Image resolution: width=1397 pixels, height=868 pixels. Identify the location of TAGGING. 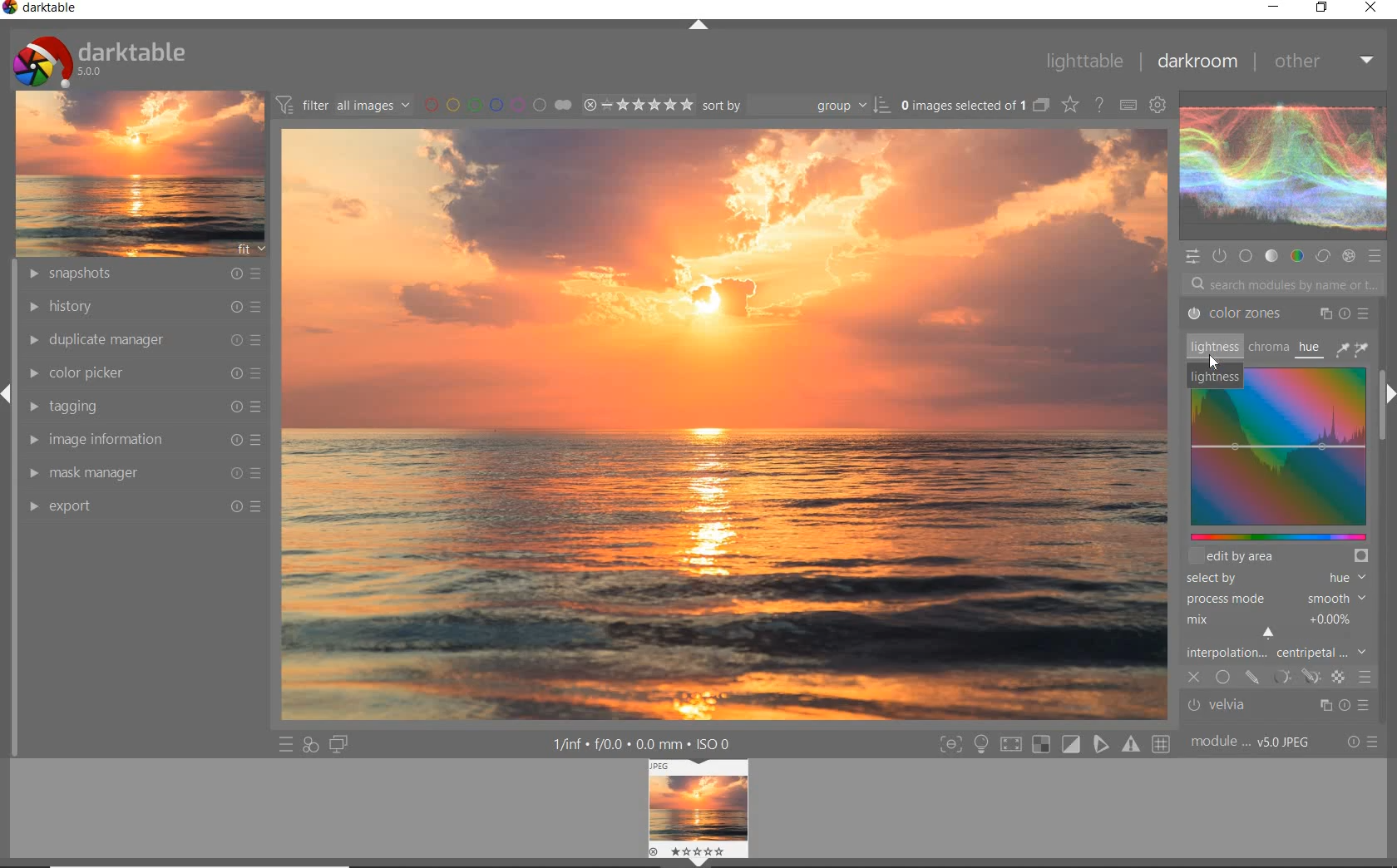
(142, 405).